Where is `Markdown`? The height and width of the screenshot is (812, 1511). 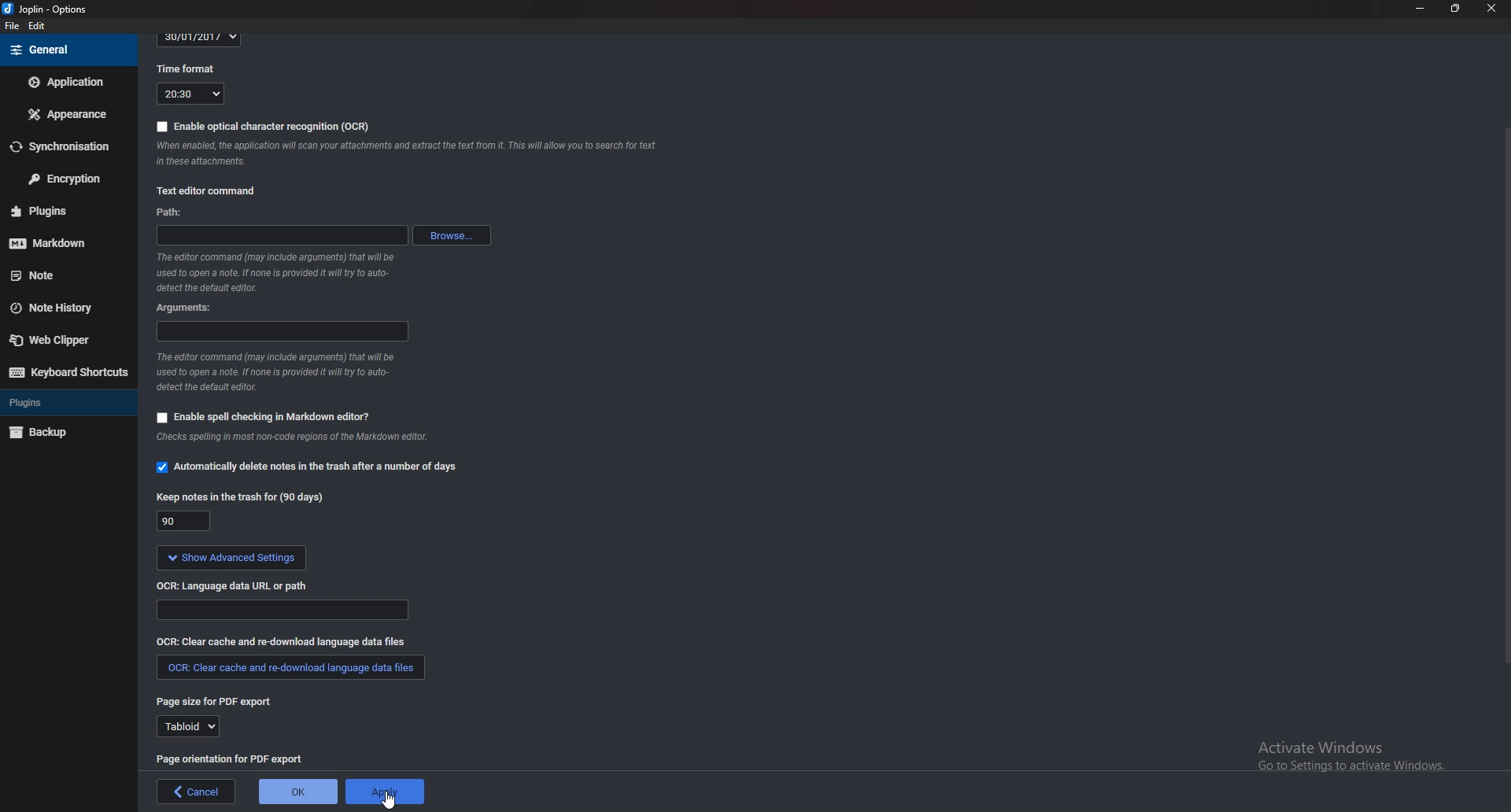 Markdown is located at coordinates (59, 242).